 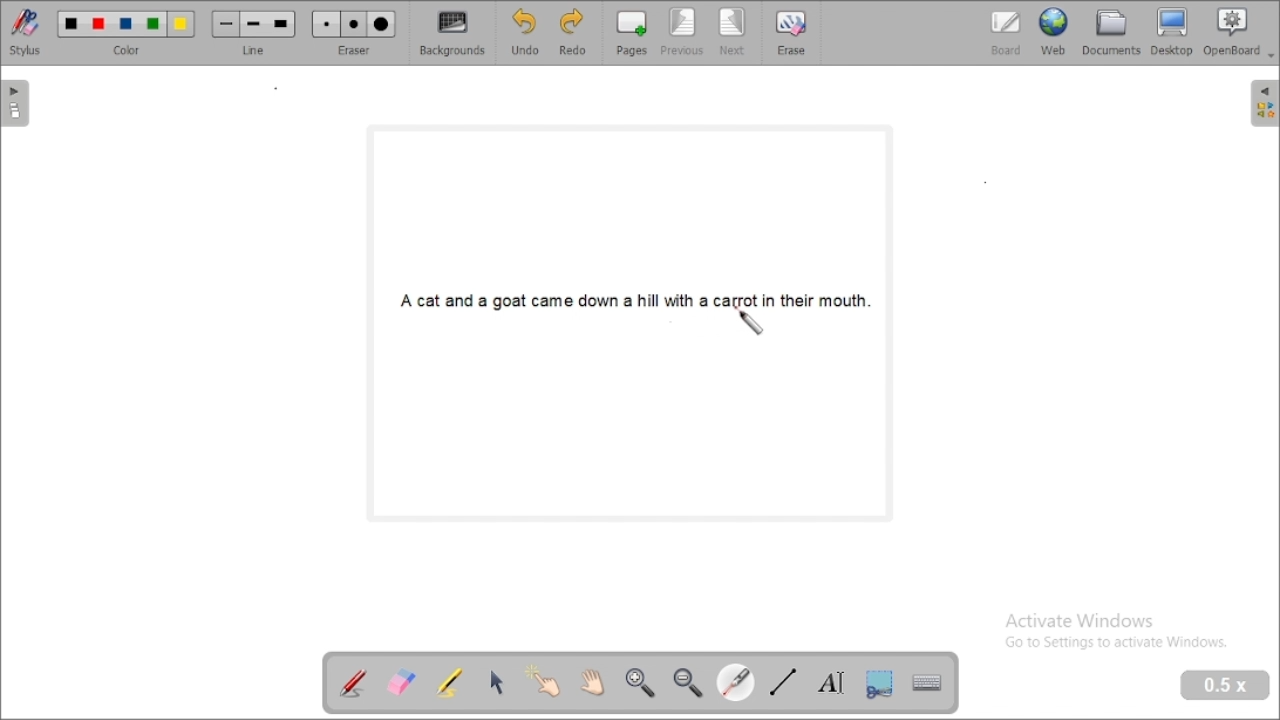 I want to click on annotate document, so click(x=354, y=682).